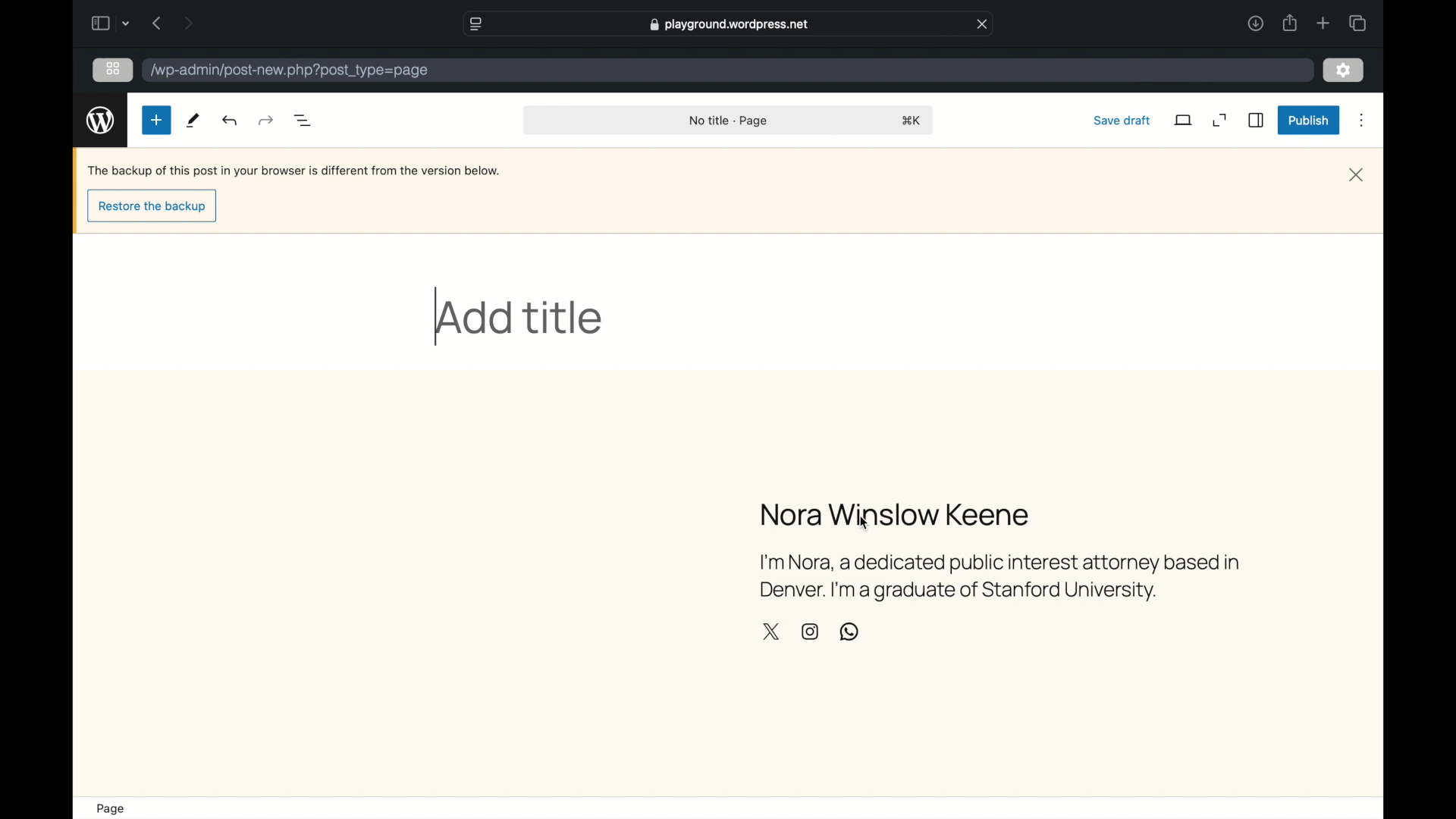 Image resolution: width=1456 pixels, height=819 pixels. I want to click on new tab, so click(1323, 23).